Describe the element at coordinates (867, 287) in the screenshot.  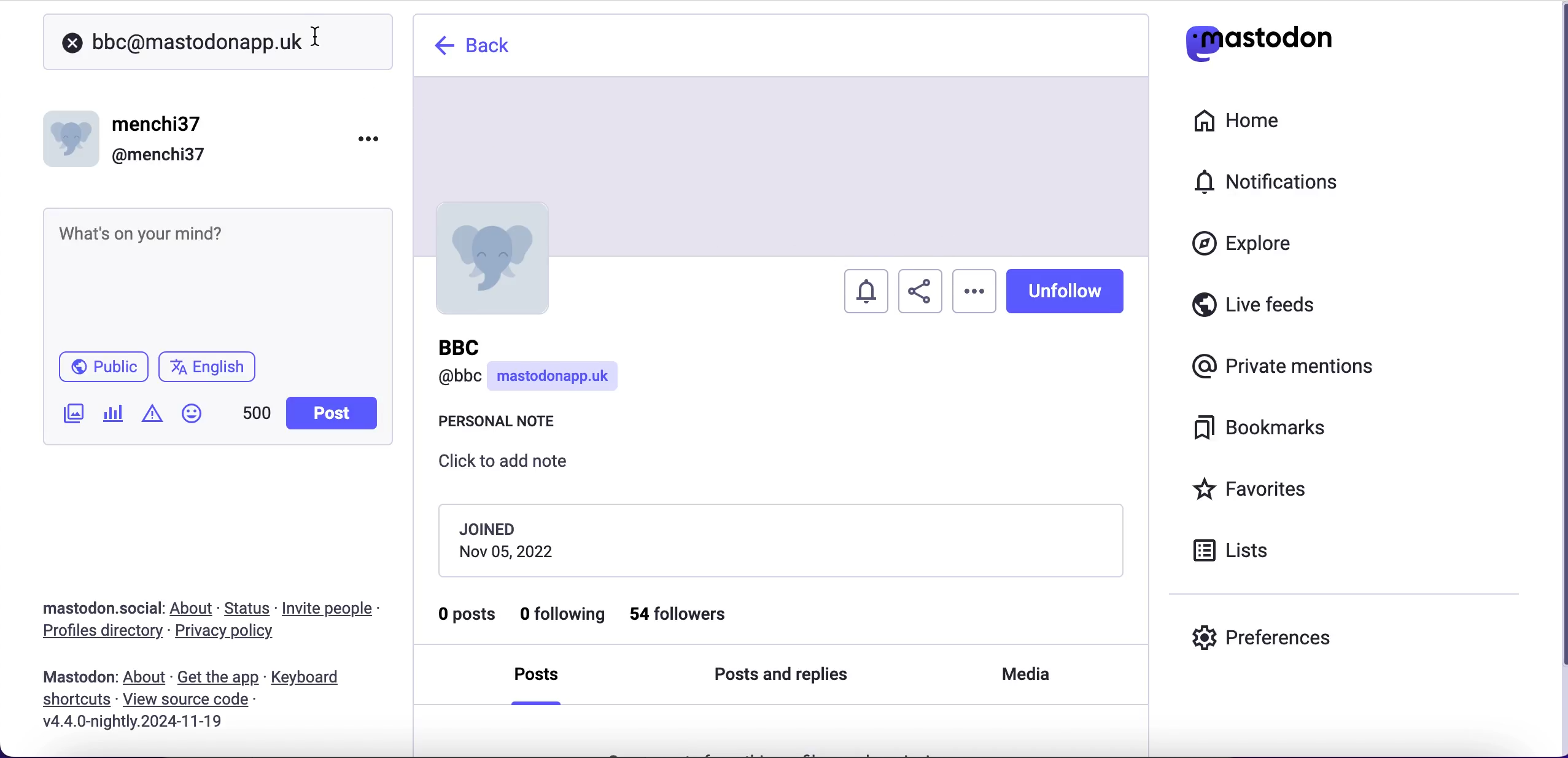
I see `turn notifications on` at that location.